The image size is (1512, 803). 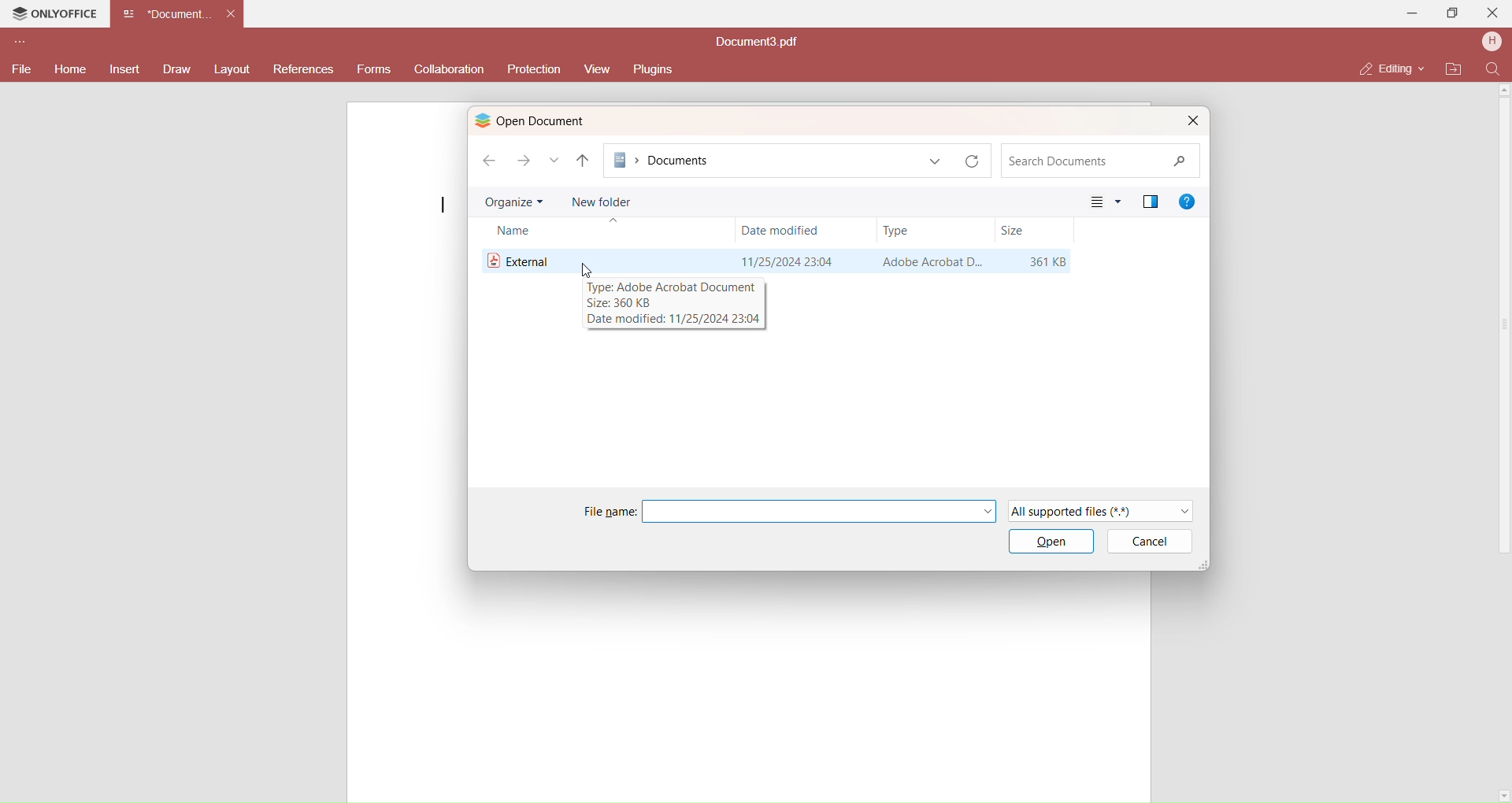 What do you see at coordinates (1150, 200) in the screenshot?
I see `Preview` at bounding box center [1150, 200].